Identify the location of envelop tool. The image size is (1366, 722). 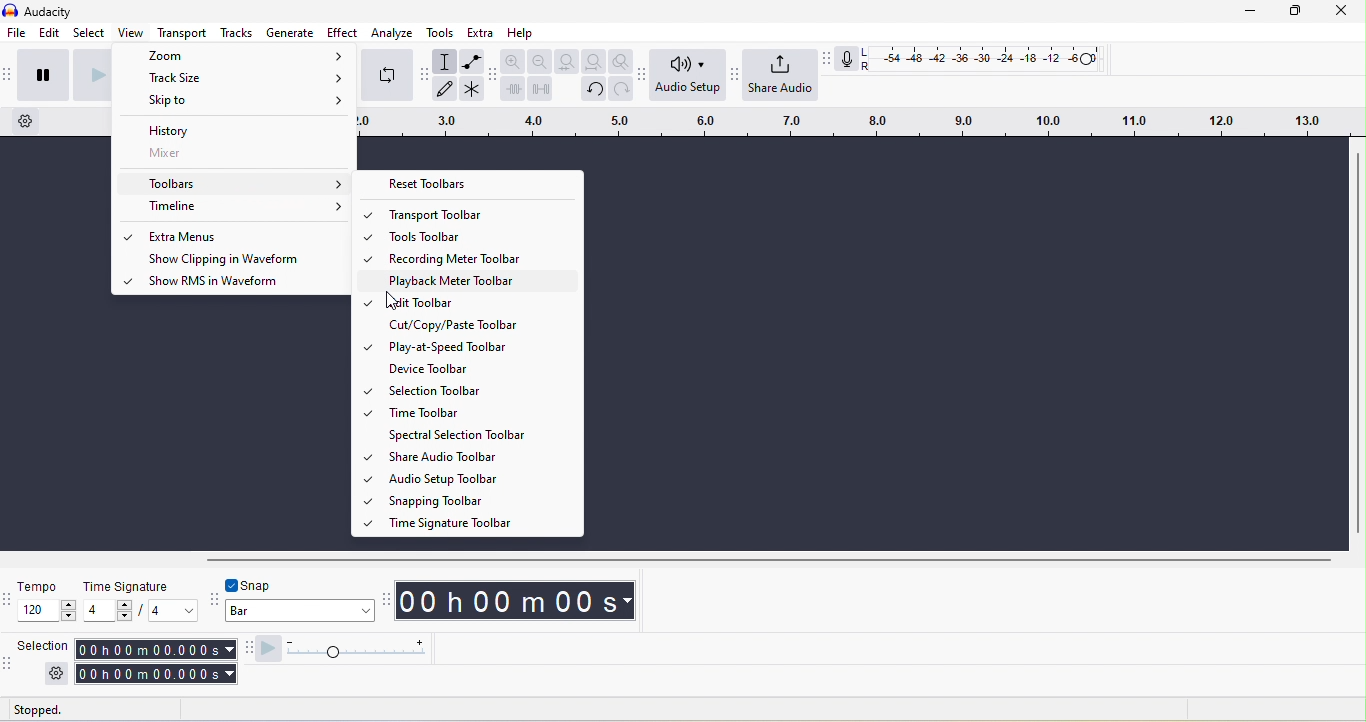
(473, 61).